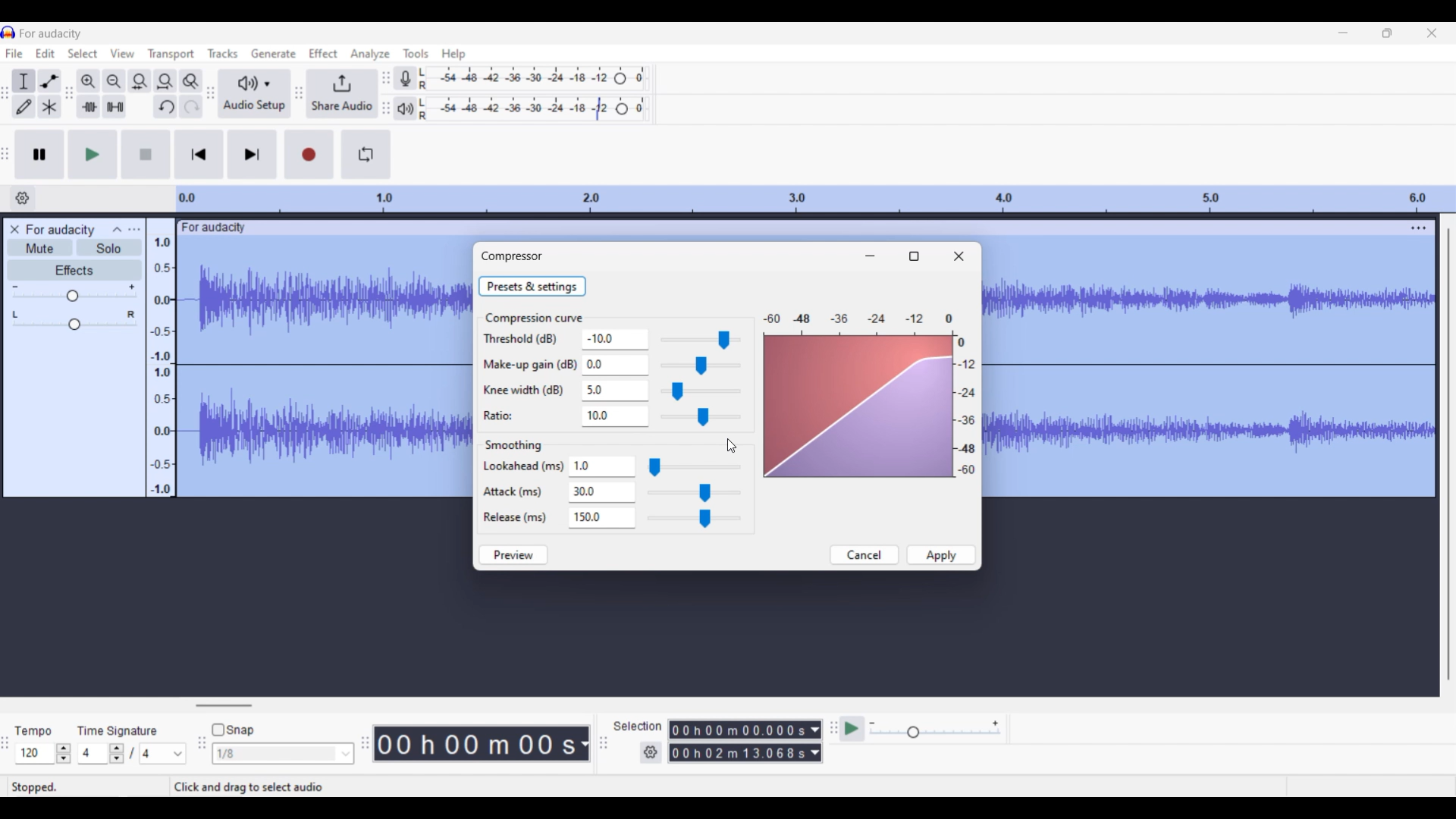  I want to click on Make up gain slider, so click(700, 366).